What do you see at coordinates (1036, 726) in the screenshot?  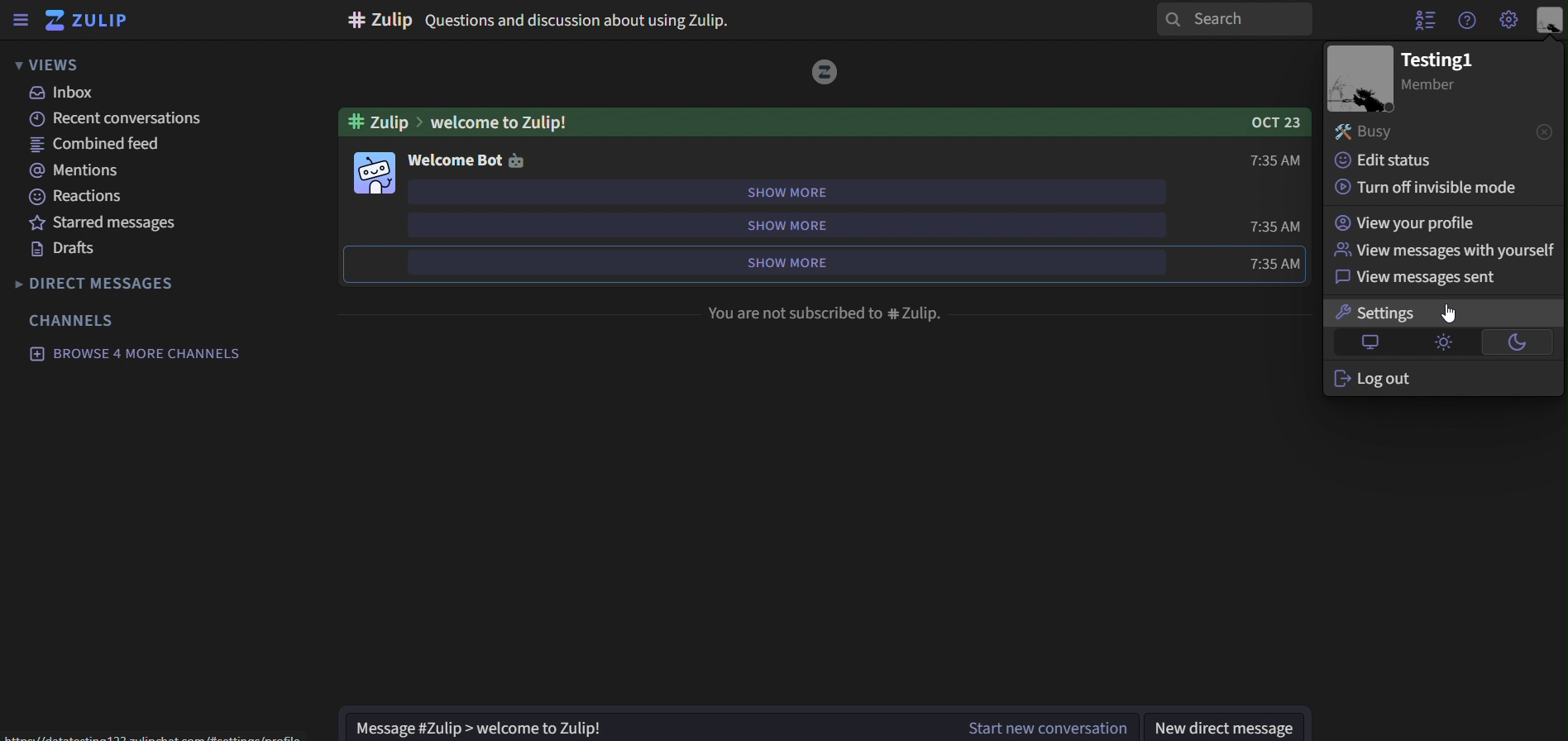 I see `start new conversation` at bounding box center [1036, 726].